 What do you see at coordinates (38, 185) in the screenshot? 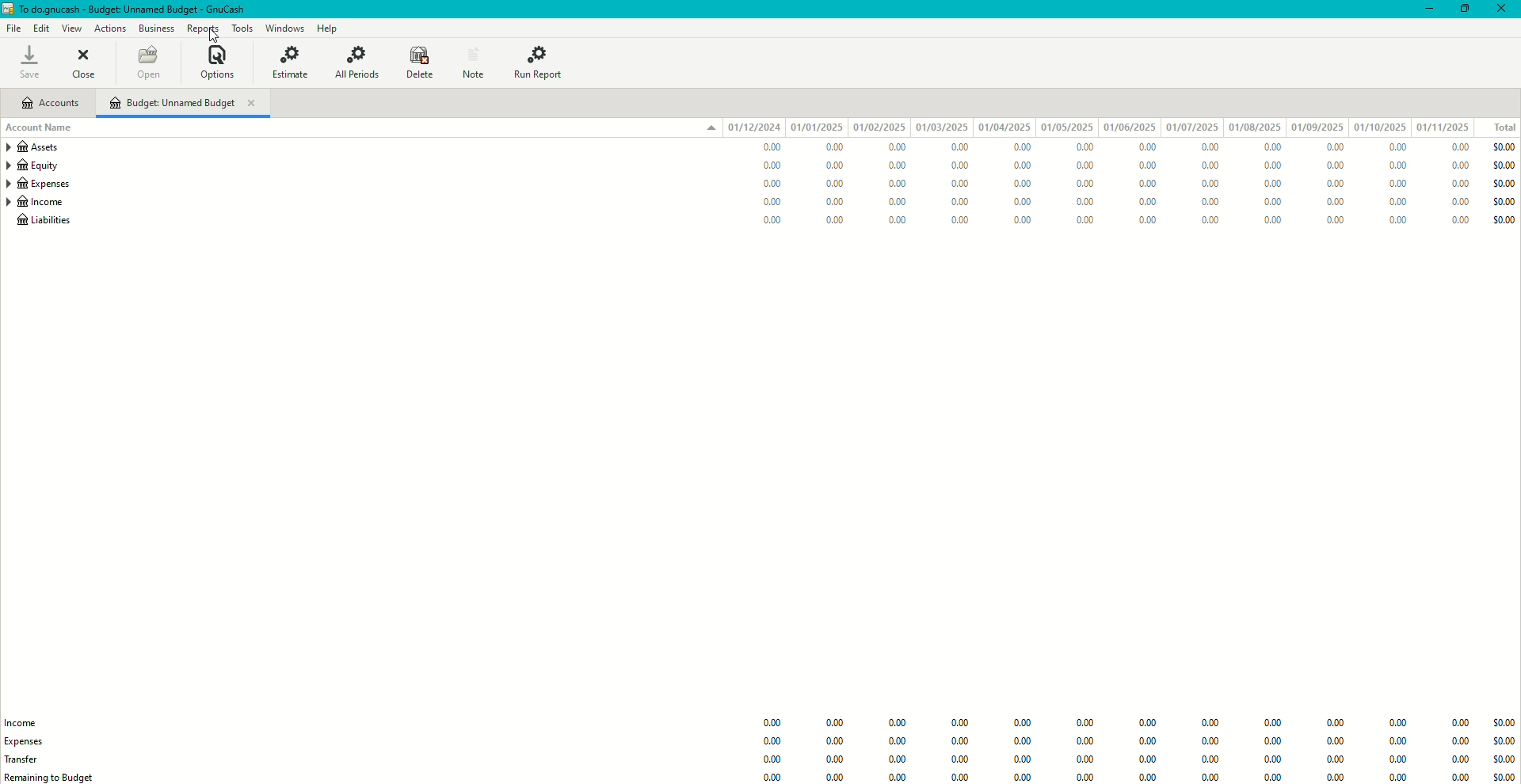
I see `Expenses` at bounding box center [38, 185].